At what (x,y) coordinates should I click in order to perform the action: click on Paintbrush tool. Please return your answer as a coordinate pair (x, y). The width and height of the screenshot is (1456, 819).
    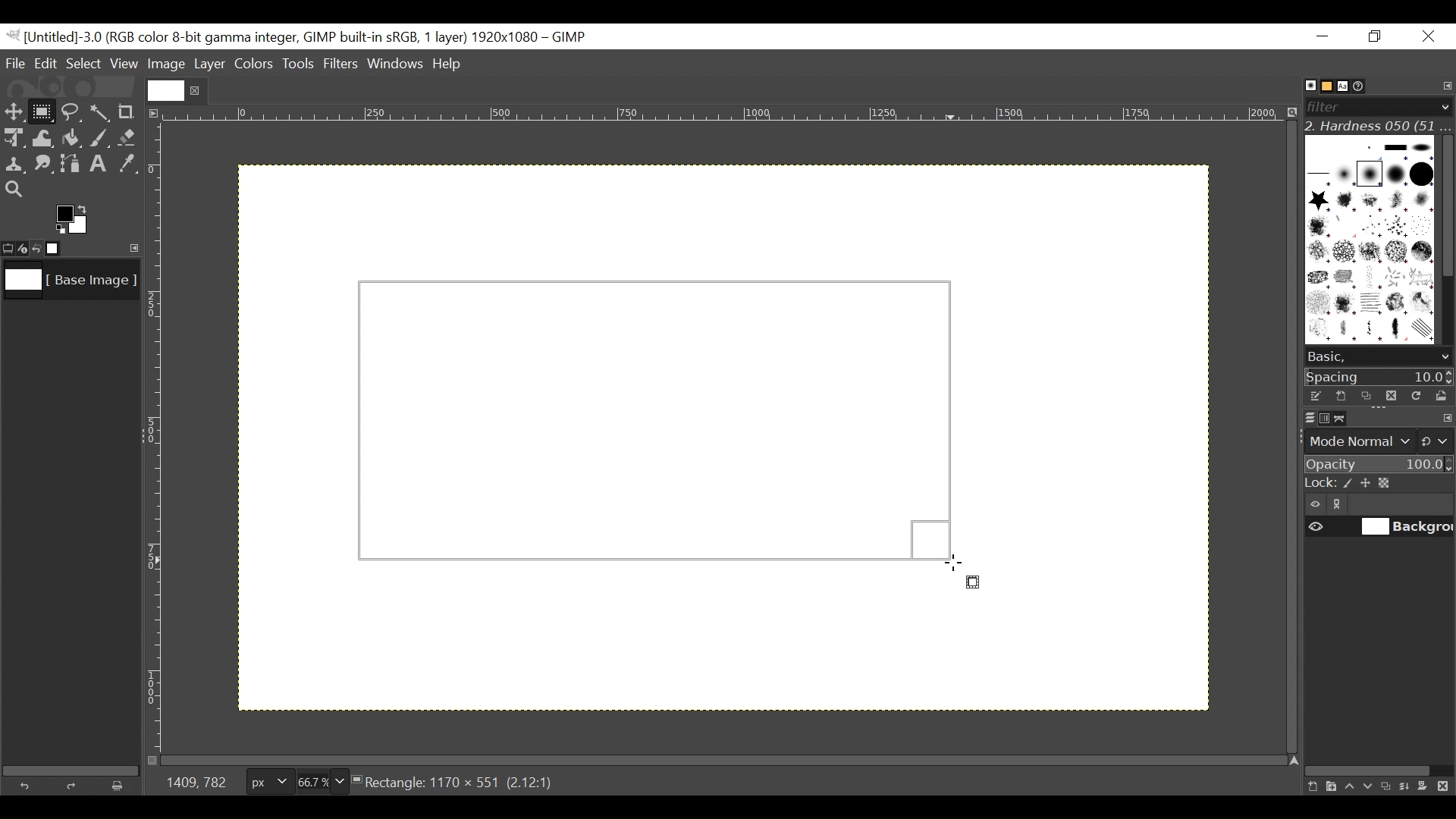
    Looking at the image, I should click on (99, 140).